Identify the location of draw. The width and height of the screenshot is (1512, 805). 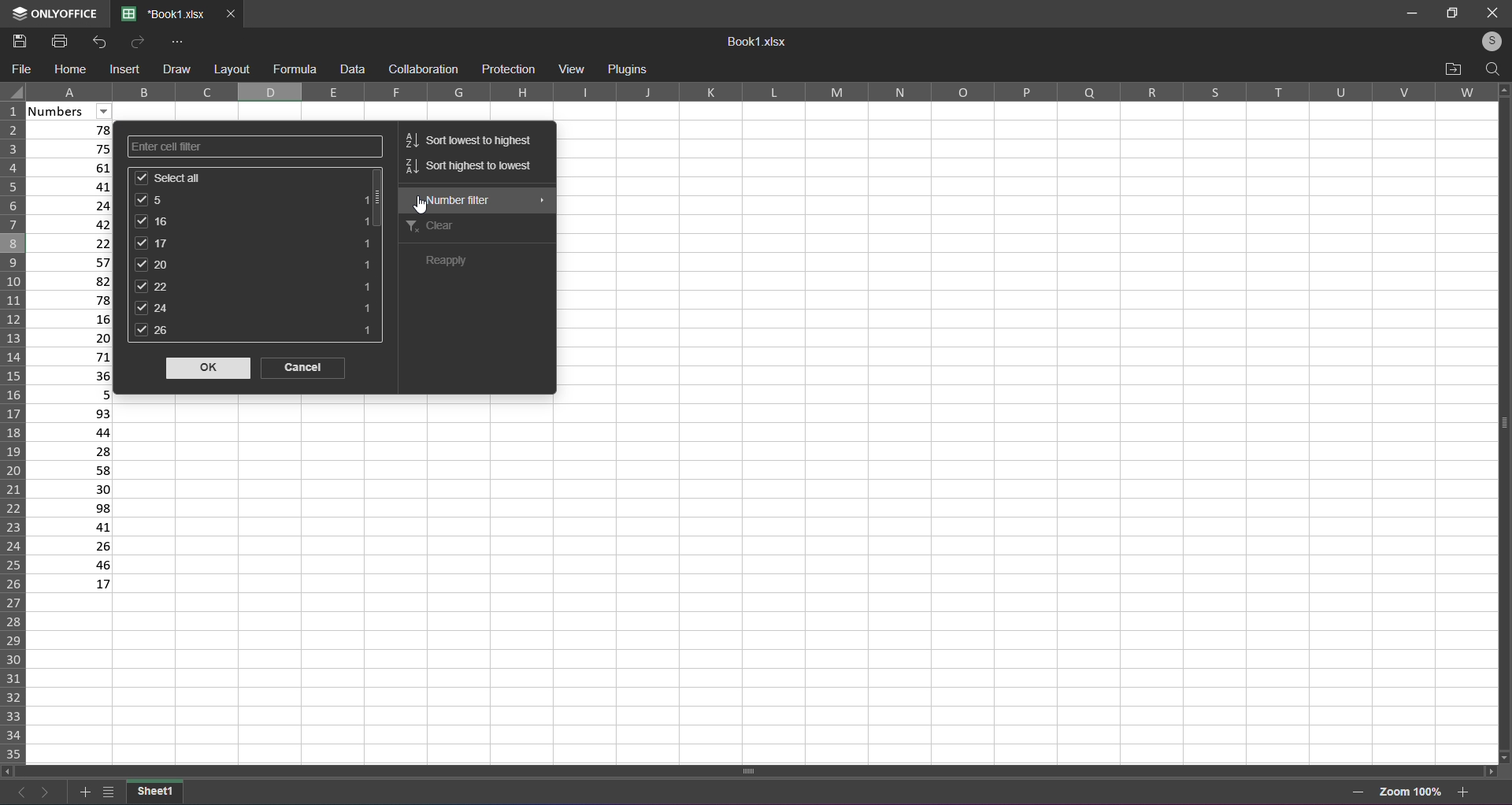
(176, 68).